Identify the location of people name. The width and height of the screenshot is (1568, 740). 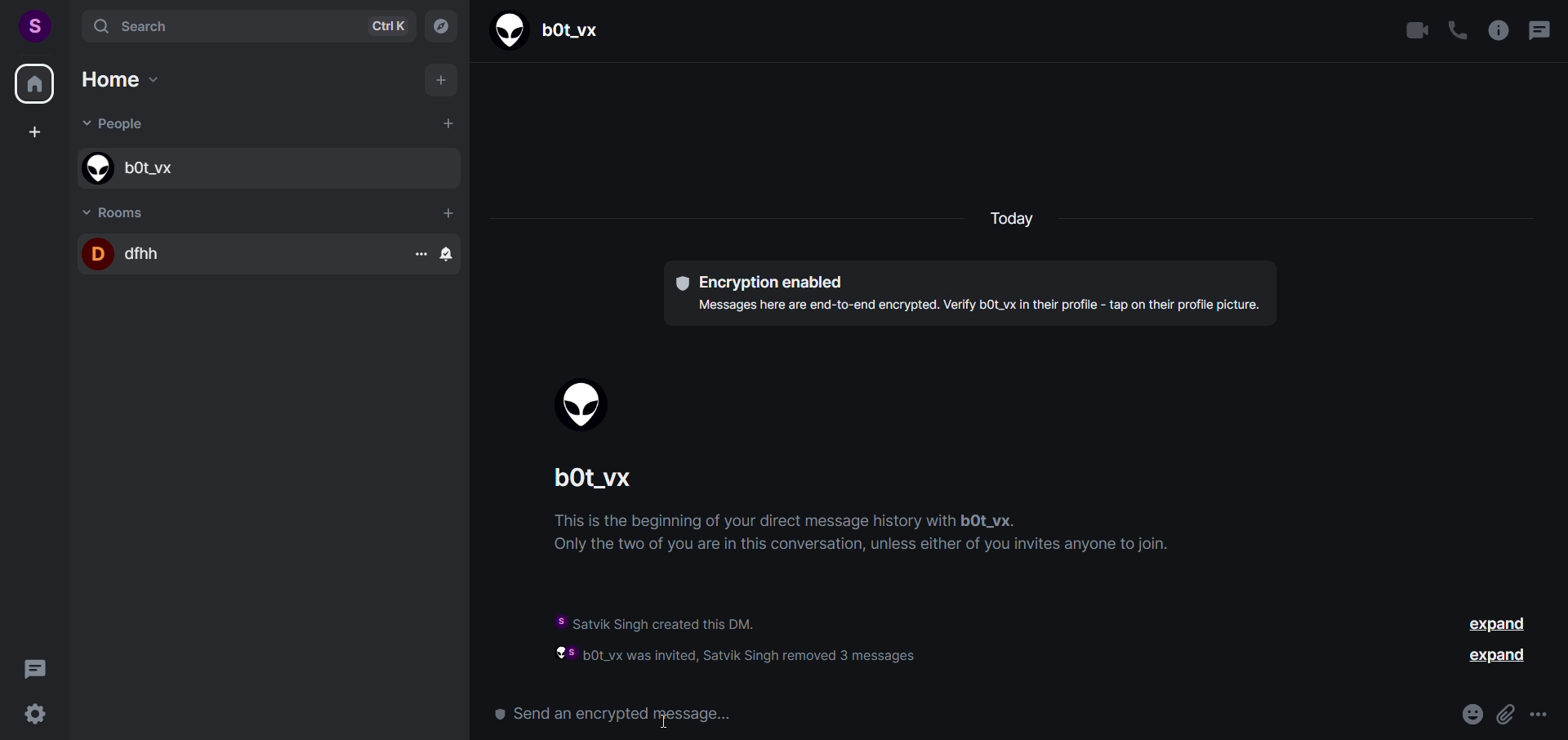
(264, 167).